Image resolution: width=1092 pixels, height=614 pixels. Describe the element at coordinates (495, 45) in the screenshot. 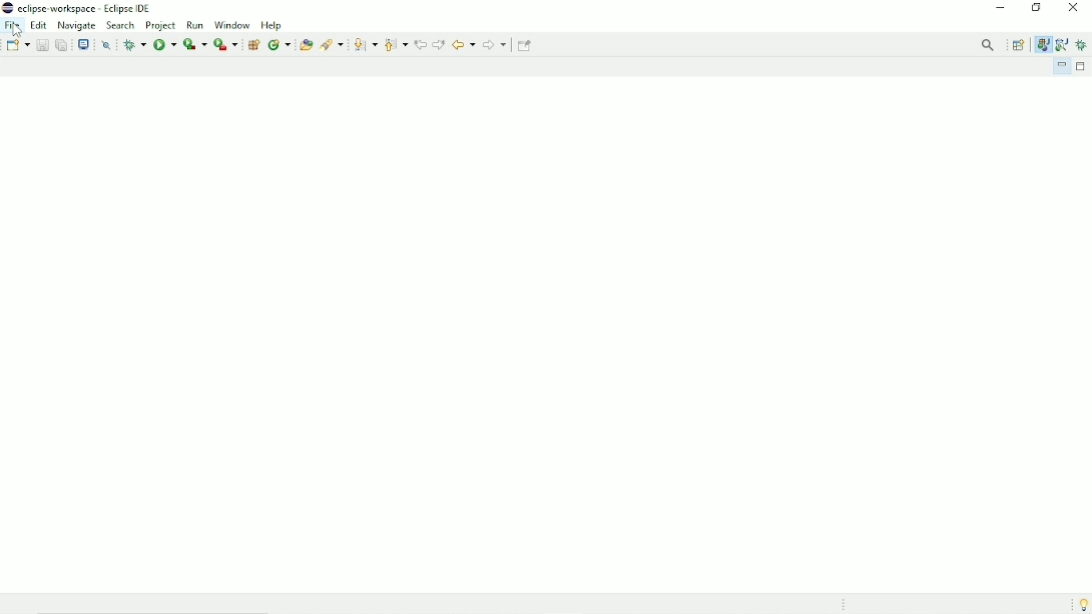

I see `Forward` at that location.